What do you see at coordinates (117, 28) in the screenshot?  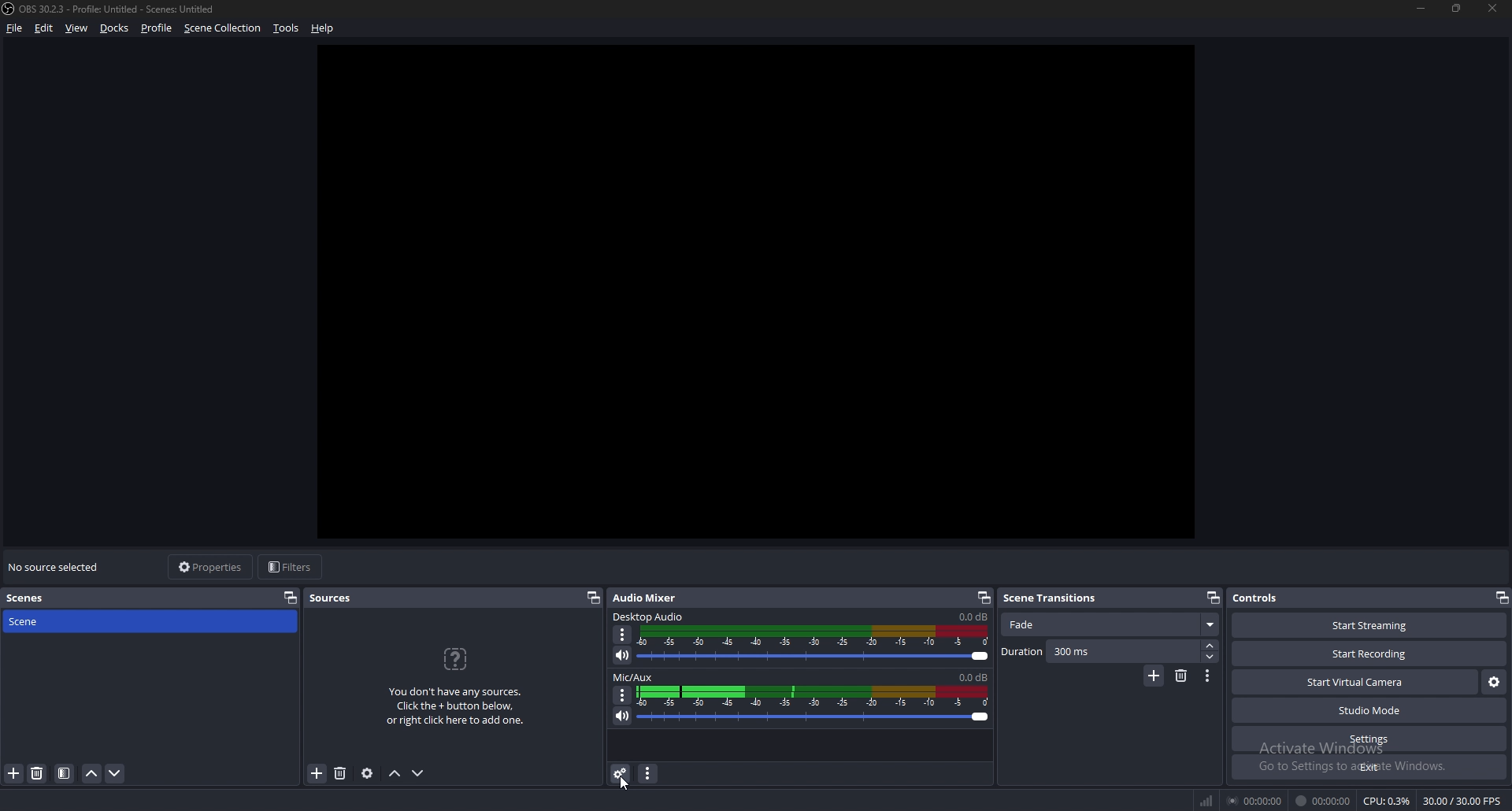 I see `docks` at bounding box center [117, 28].